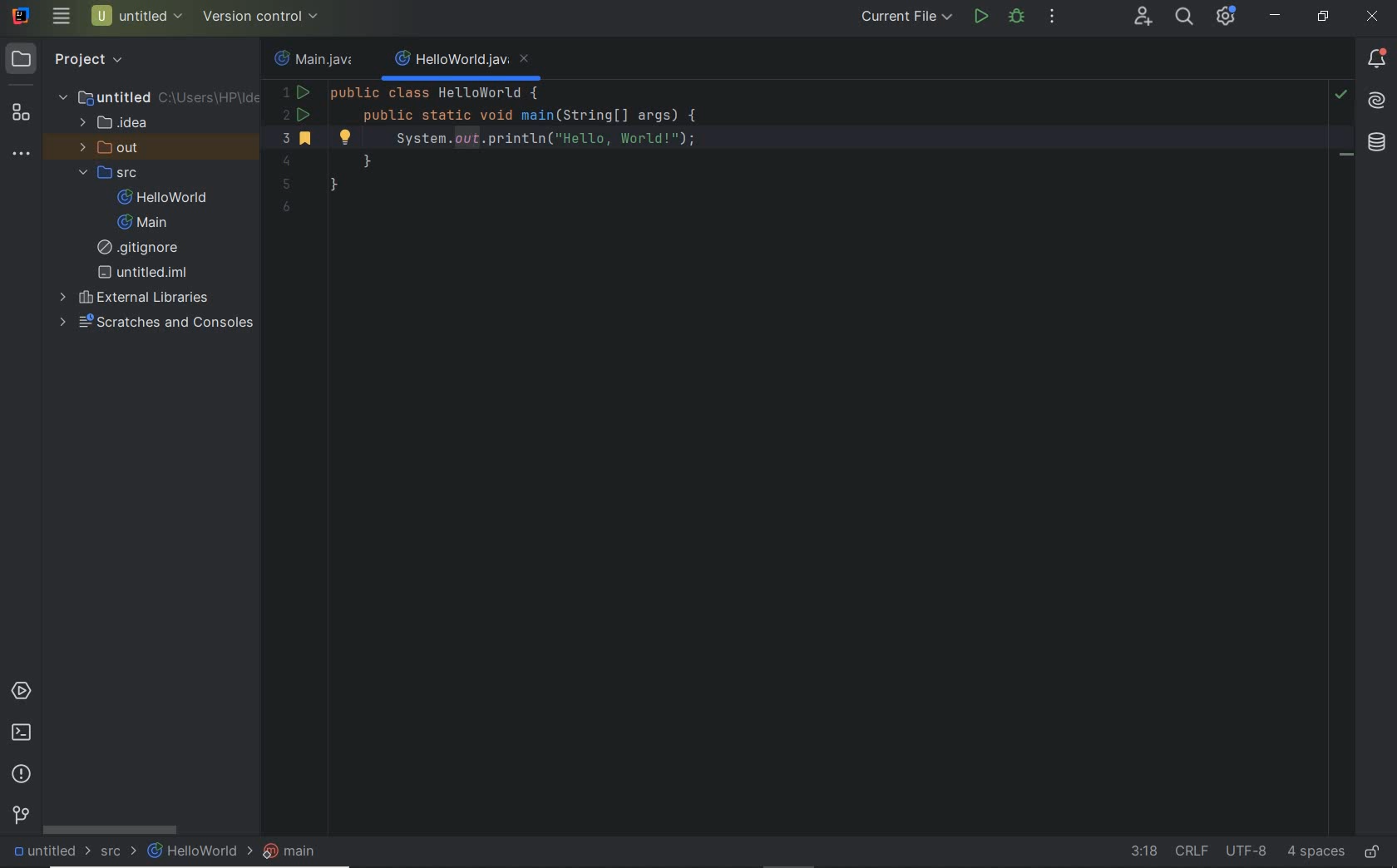 This screenshot has height=868, width=1397. I want to click on CRLF(line separator), so click(1191, 847).